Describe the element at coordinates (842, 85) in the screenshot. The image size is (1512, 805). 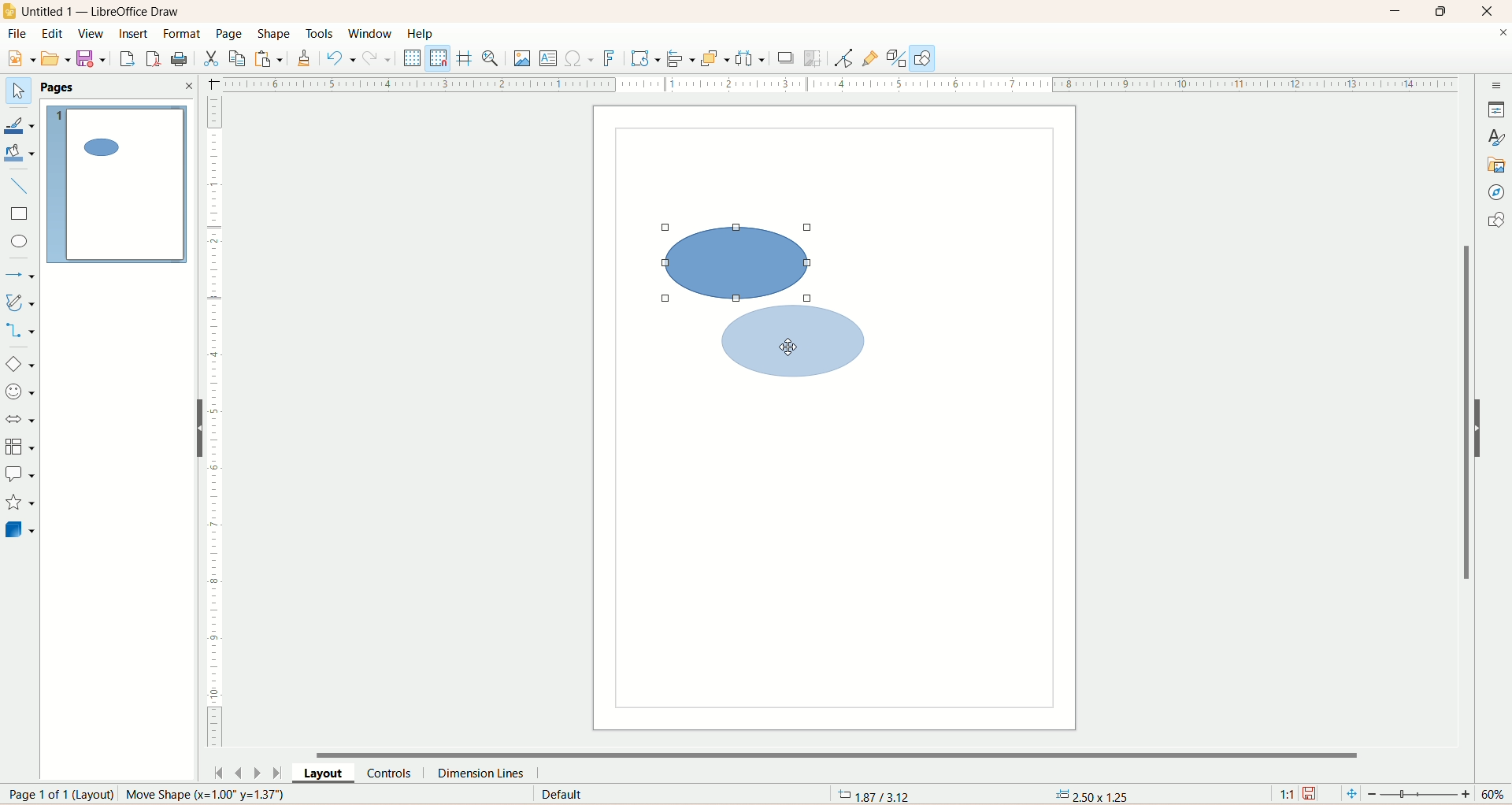
I see `scale bar` at that location.